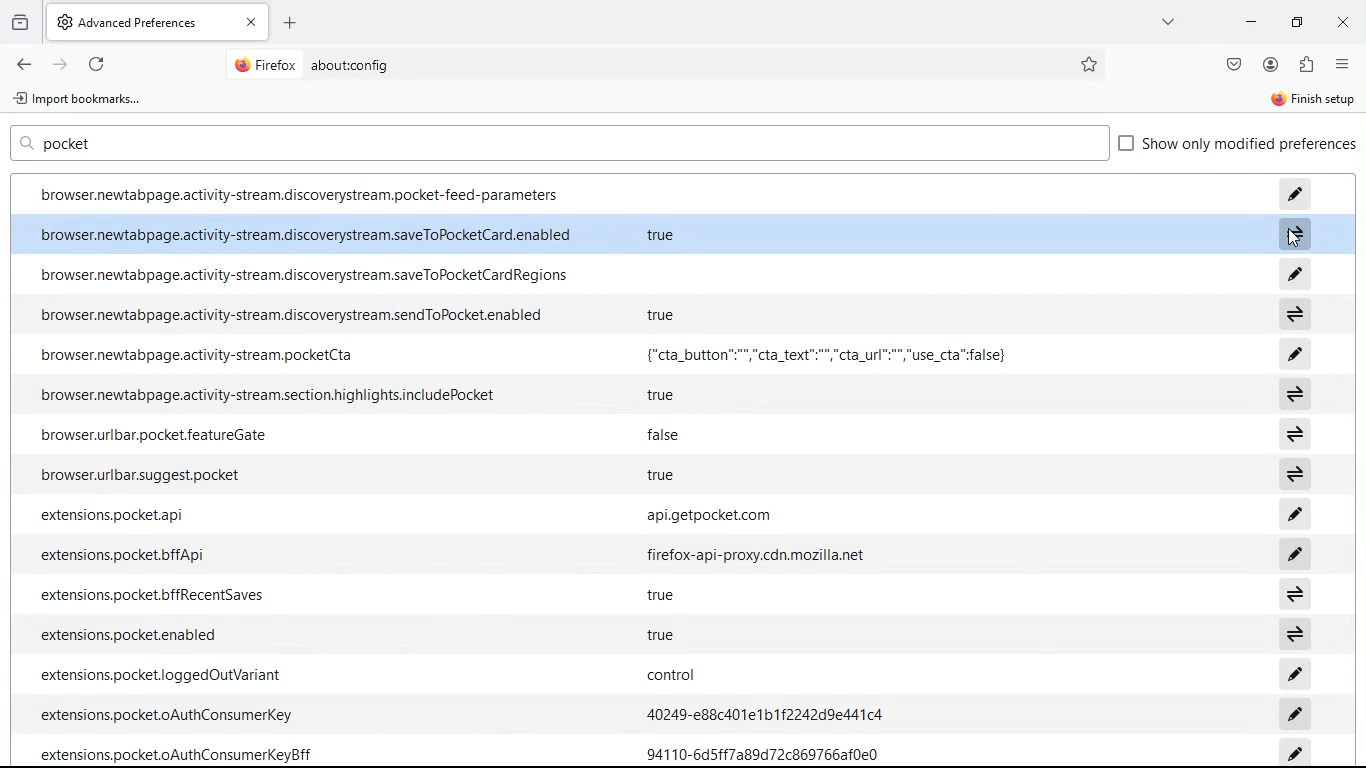 The image size is (1366, 768). What do you see at coordinates (1293, 273) in the screenshot?
I see `edit` at bounding box center [1293, 273].